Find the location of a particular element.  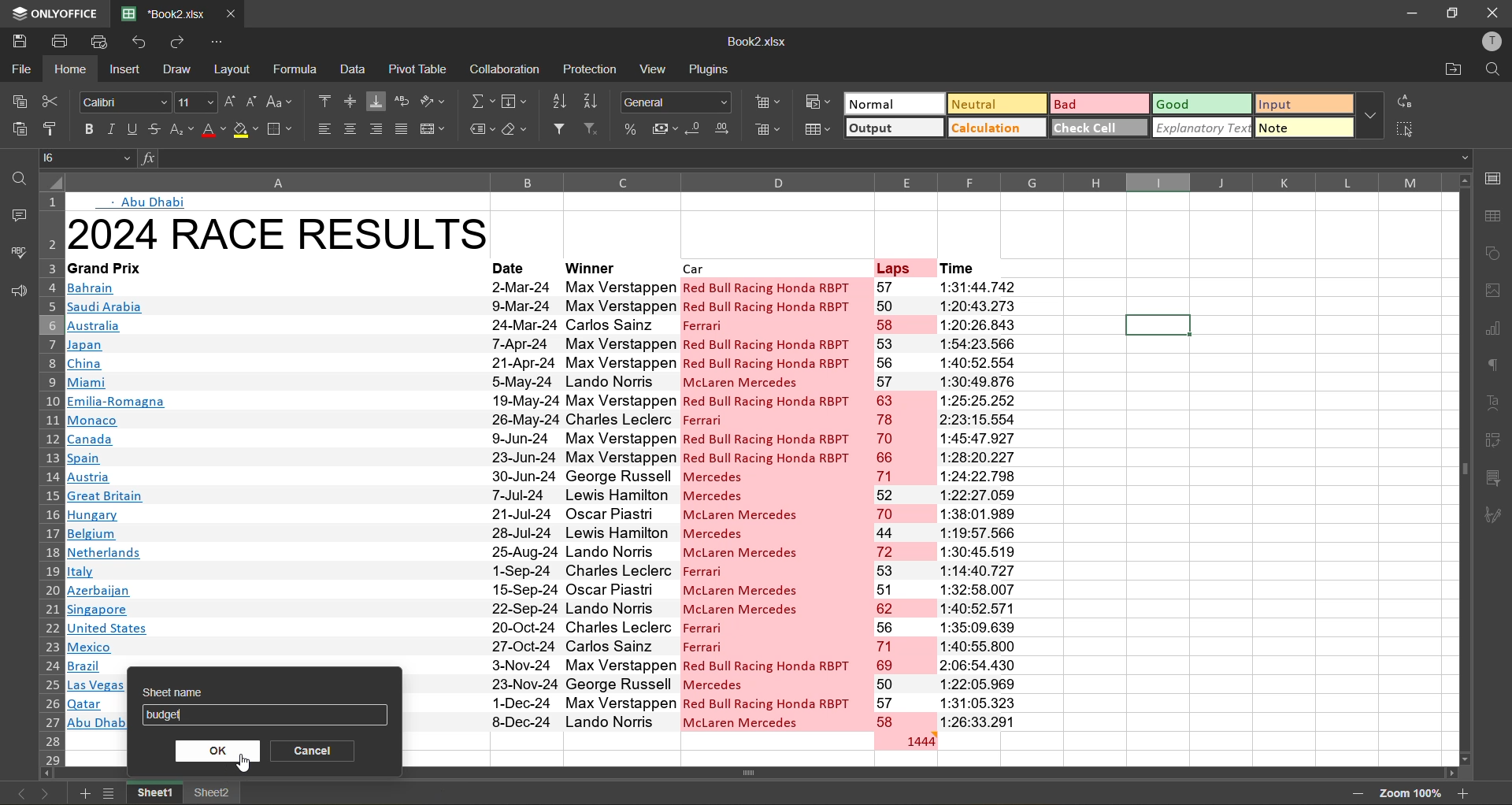

scroll bar is located at coordinates (784, 772).